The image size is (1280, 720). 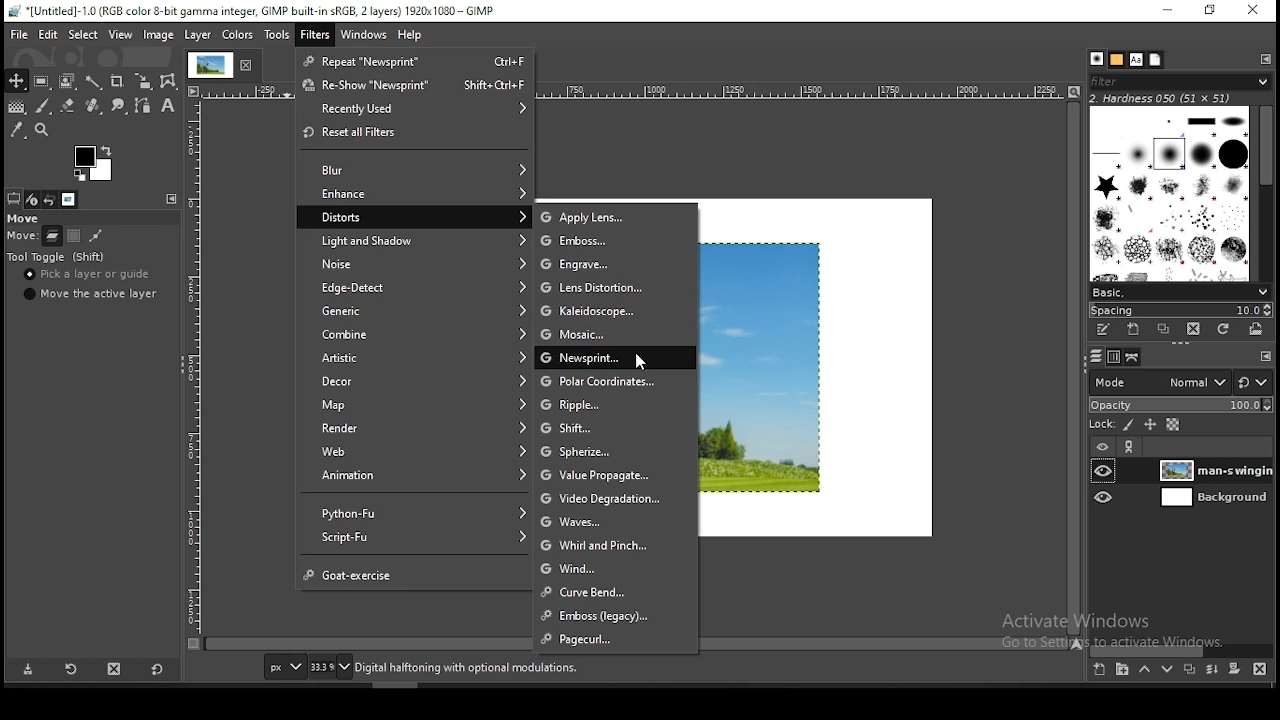 I want to click on engine, so click(x=617, y=263).